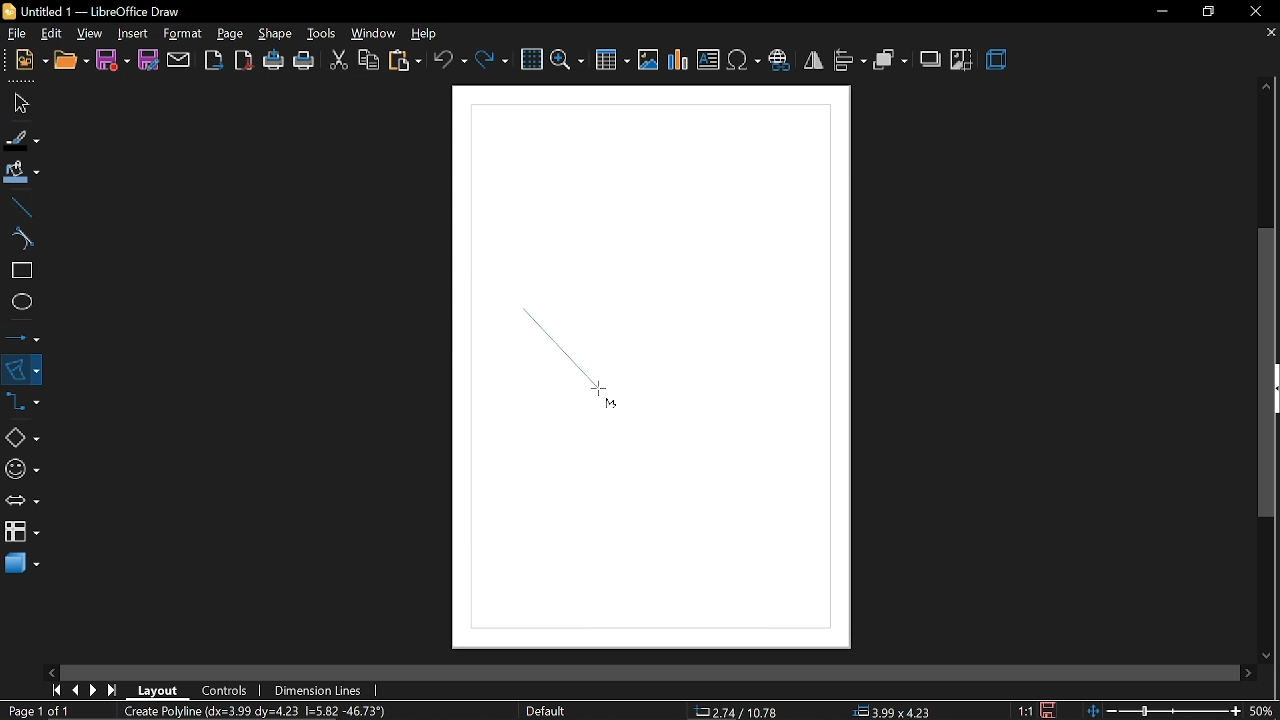 The width and height of the screenshot is (1280, 720). Describe the element at coordinates (1267, 34) in the screenshot. I see `close current tab` at that location.